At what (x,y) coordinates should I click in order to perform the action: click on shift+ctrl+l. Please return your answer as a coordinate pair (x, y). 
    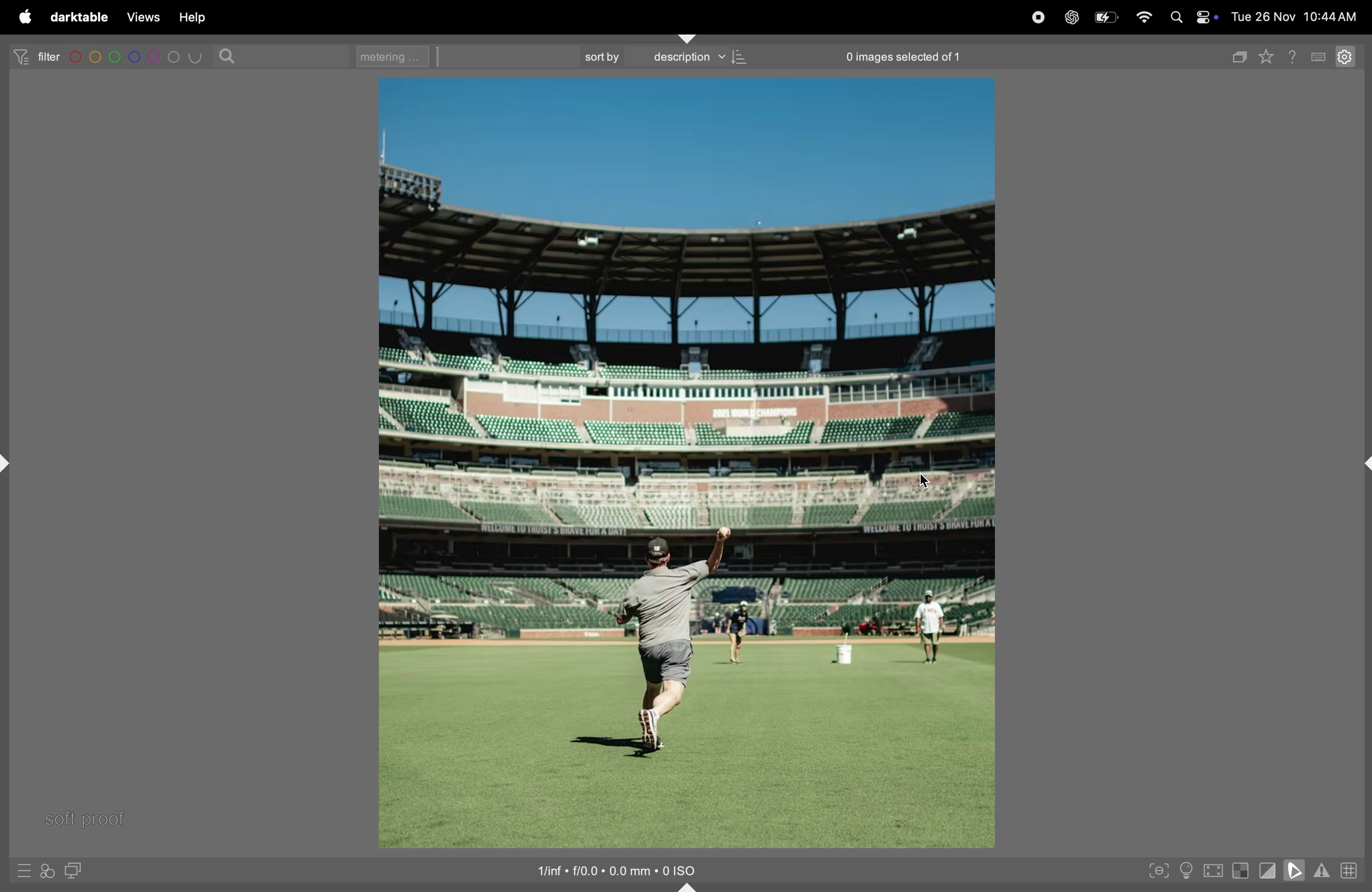
    Looking at the image, I should click on (9, 464).